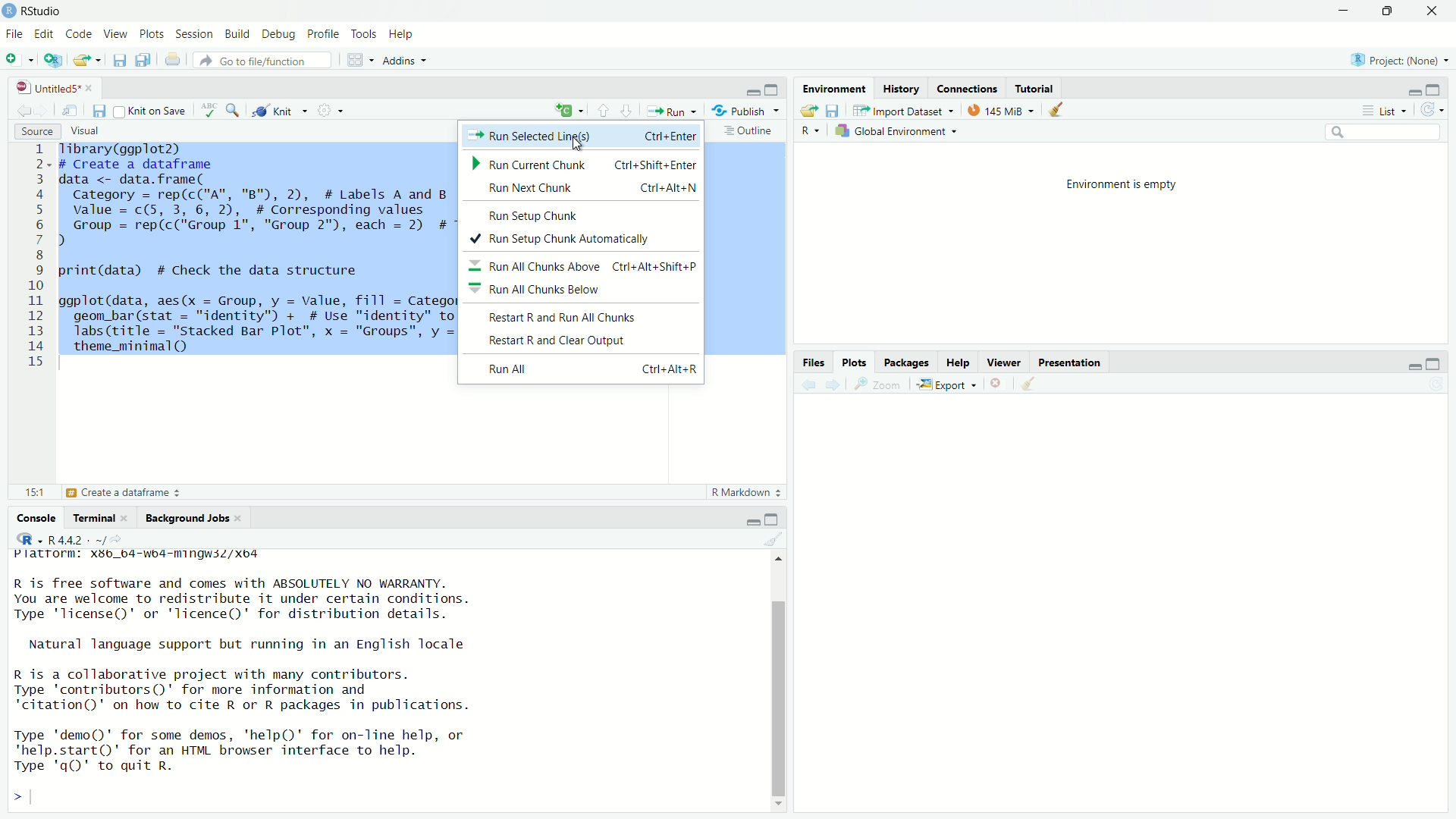  What do you see at coordinates (145, 60) in the screenshot?
I see `Save all open documents (Ctrl + Alt + S)` at bounding box center [145, 60].